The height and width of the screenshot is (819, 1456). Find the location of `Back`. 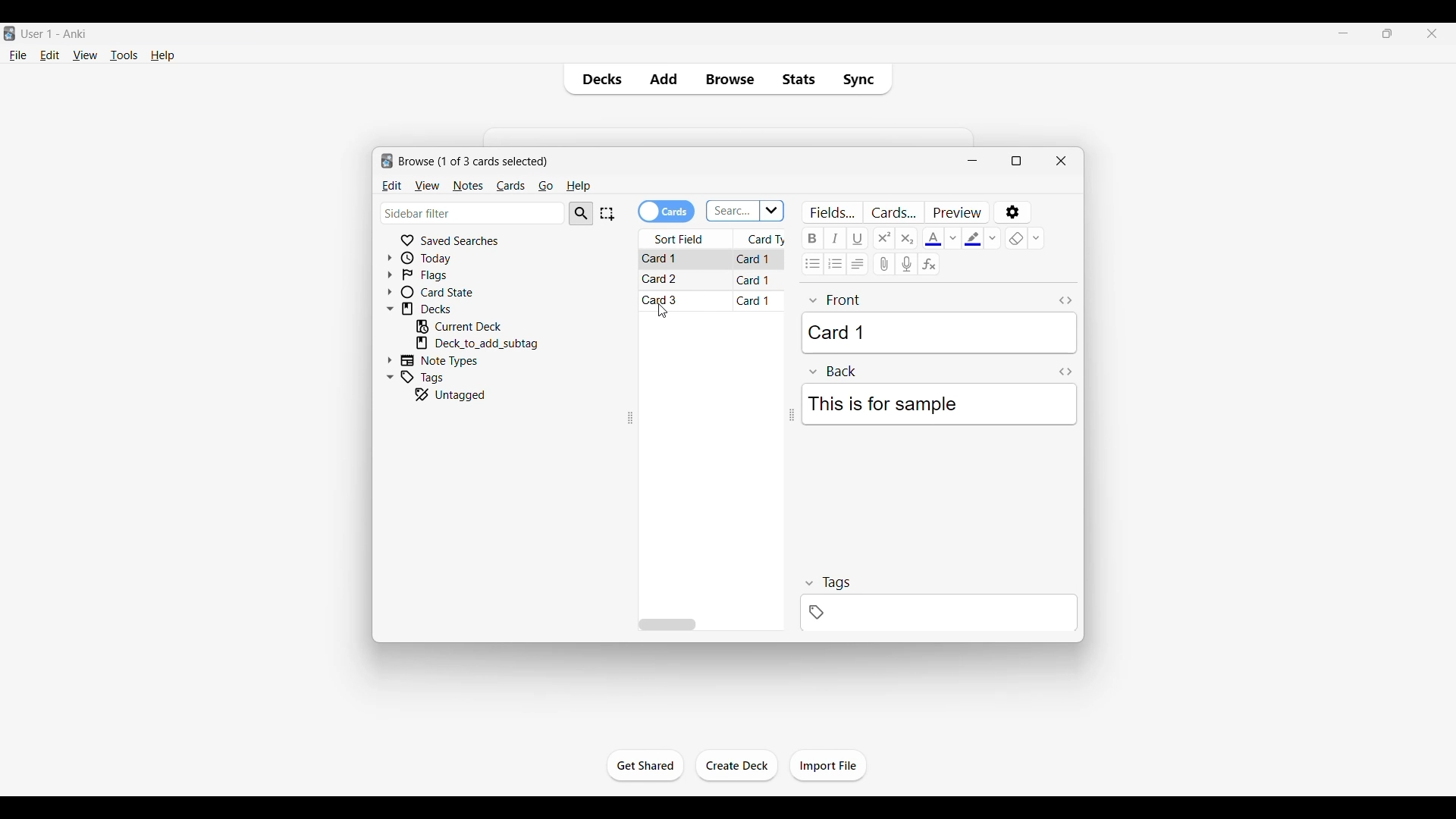

Back is located at coordinates (833, 372).